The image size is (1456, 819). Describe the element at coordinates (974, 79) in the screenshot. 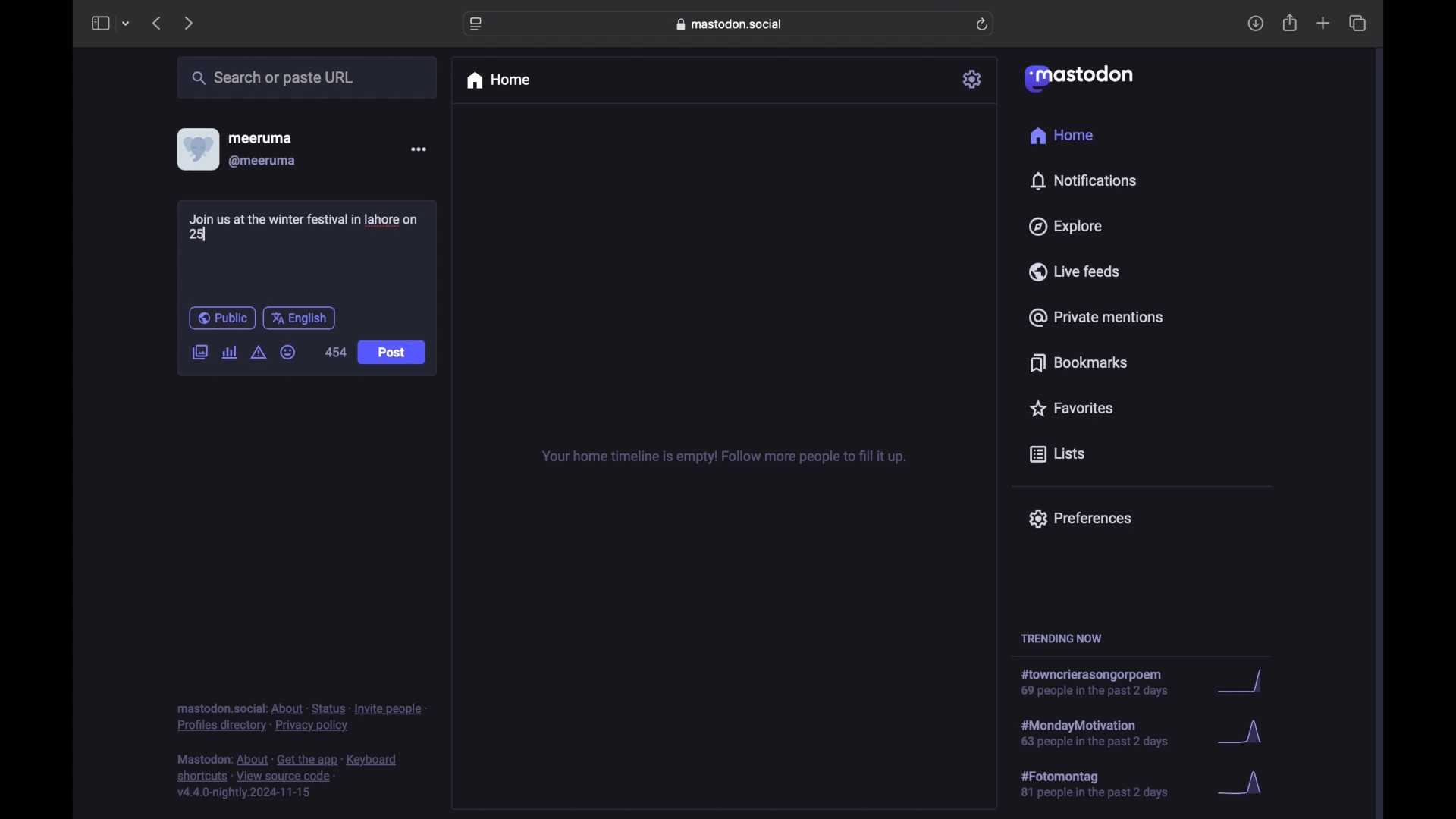

I see `settings` at that location.